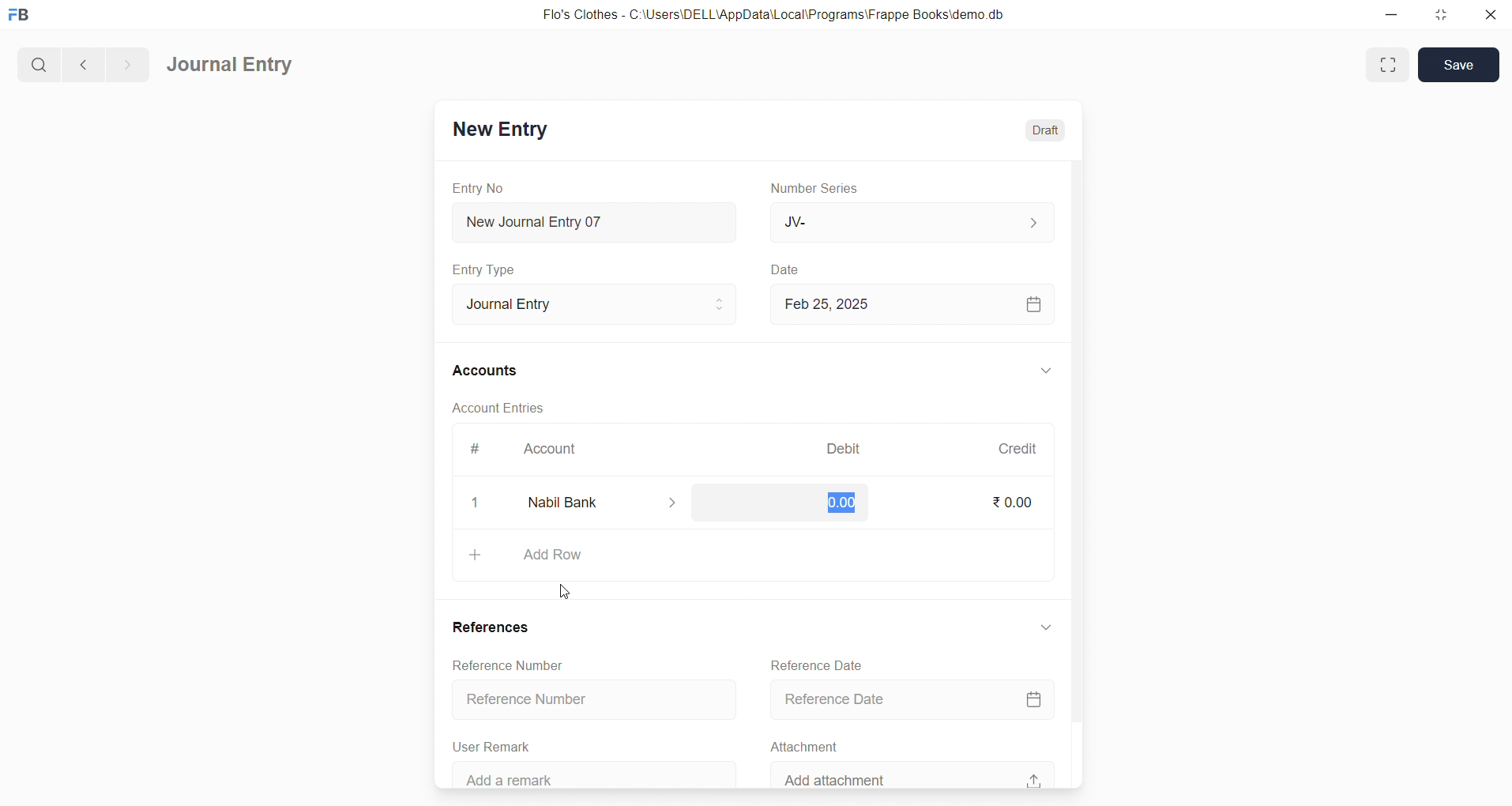  What do you see at coordinates (553, 450) in the screenshot?
I see `Account` at bounding box center [553, 450].